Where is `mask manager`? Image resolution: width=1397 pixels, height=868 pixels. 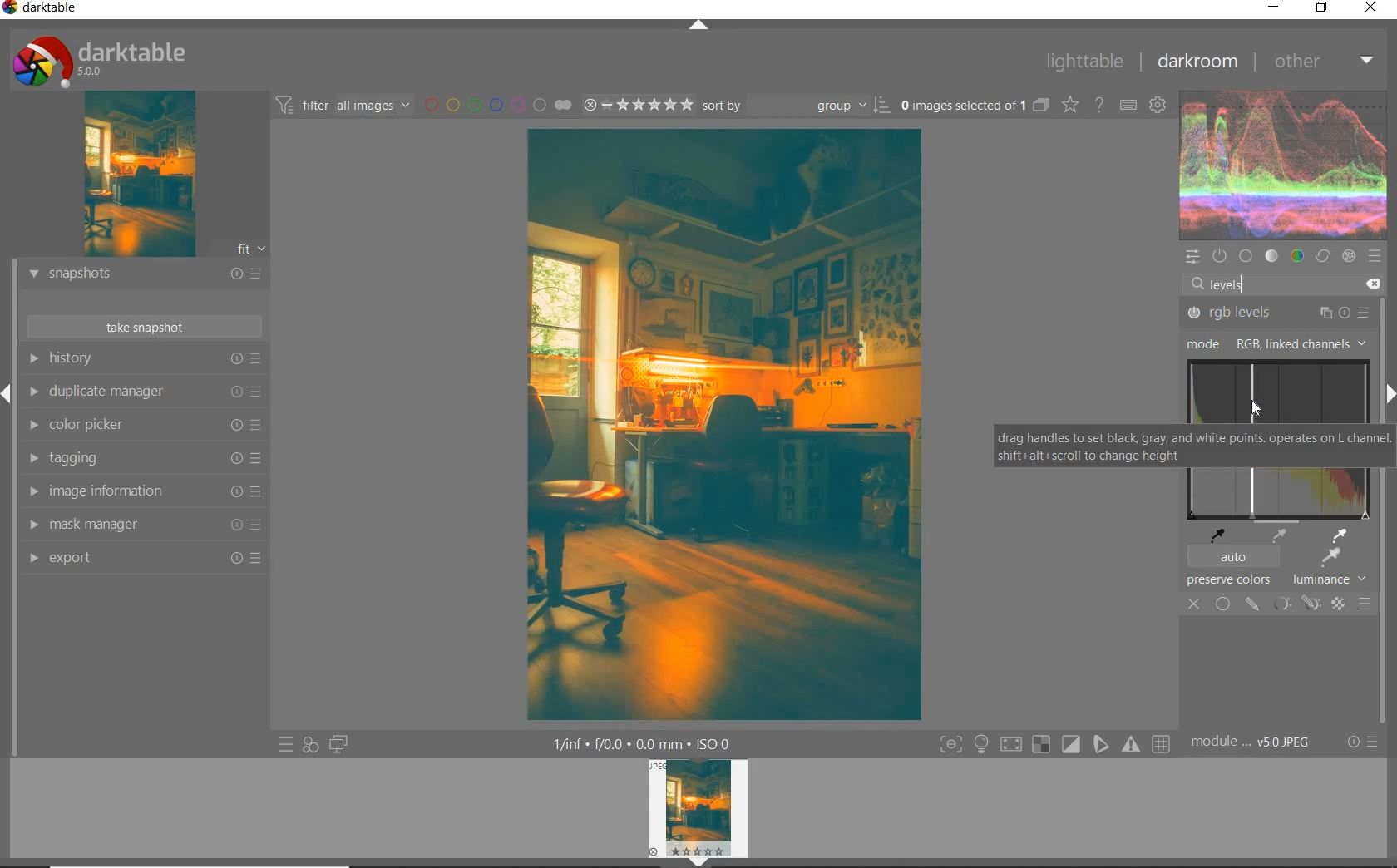 mask manager is located at coordinates (143, 525).